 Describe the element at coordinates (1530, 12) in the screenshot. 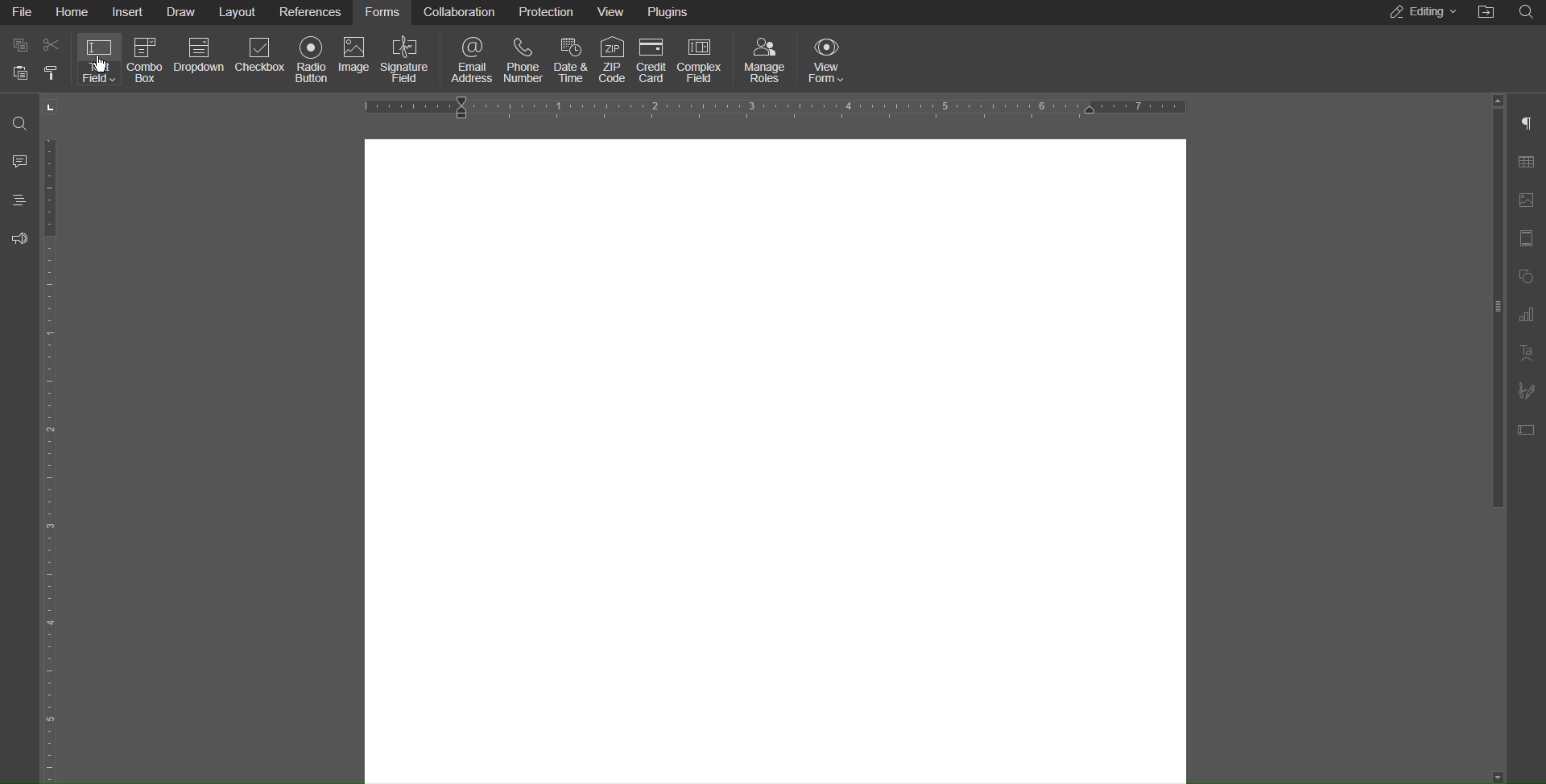

I see `Search` at that location.